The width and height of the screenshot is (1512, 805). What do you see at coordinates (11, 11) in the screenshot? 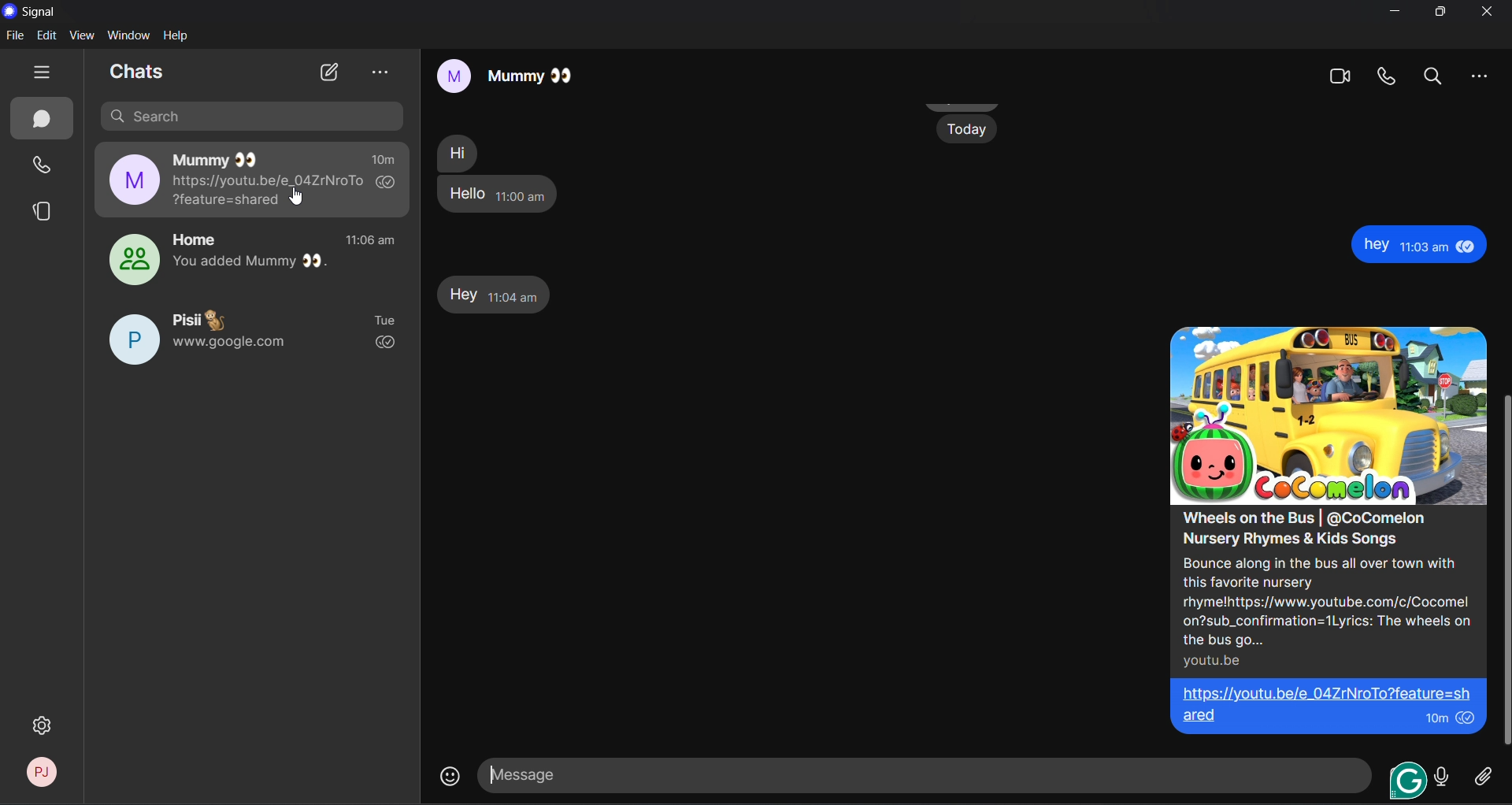
I see `logo` at bounding box center [11, 11].